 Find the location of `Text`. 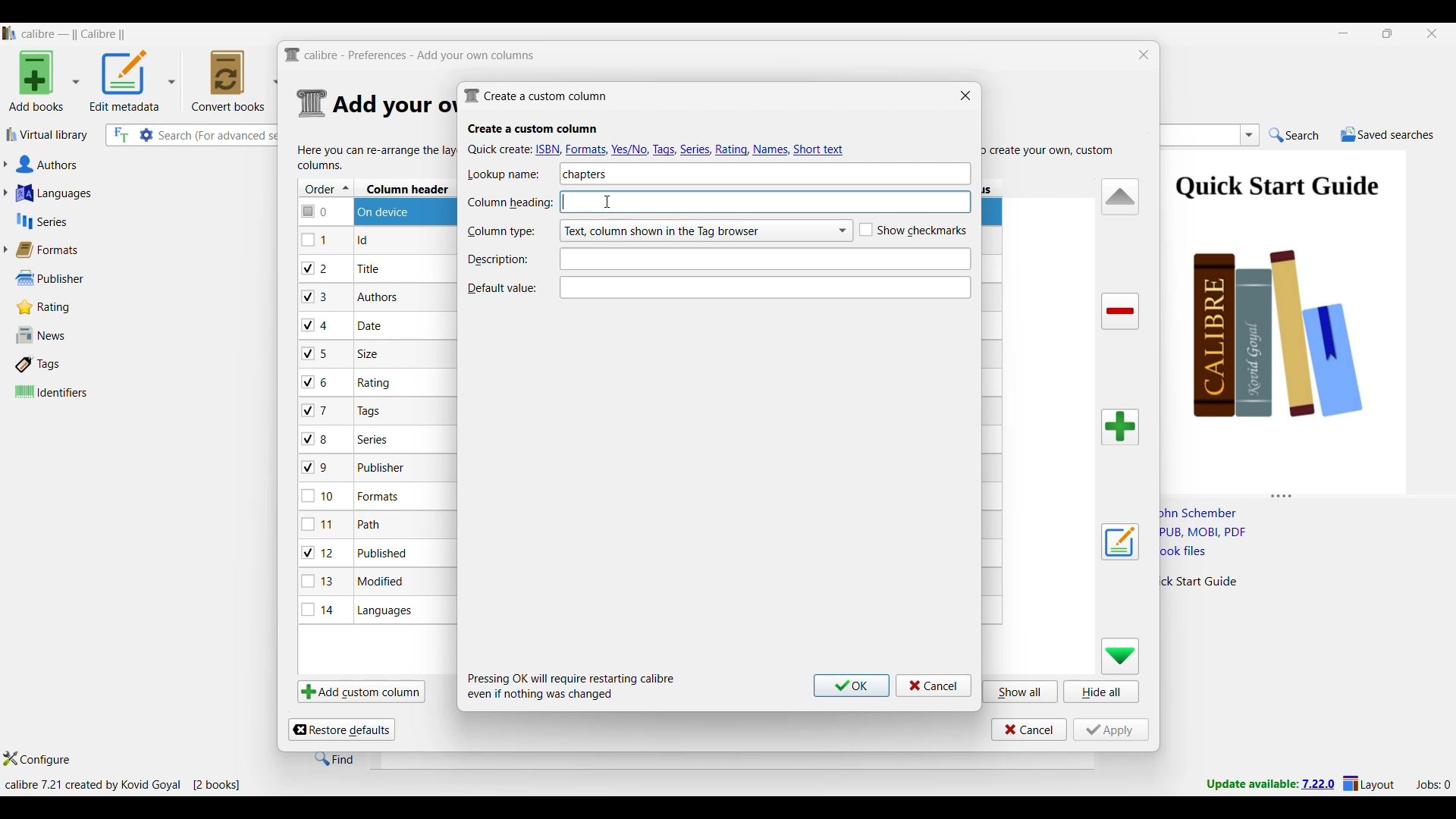

Text is located at coordinates (767, 287).